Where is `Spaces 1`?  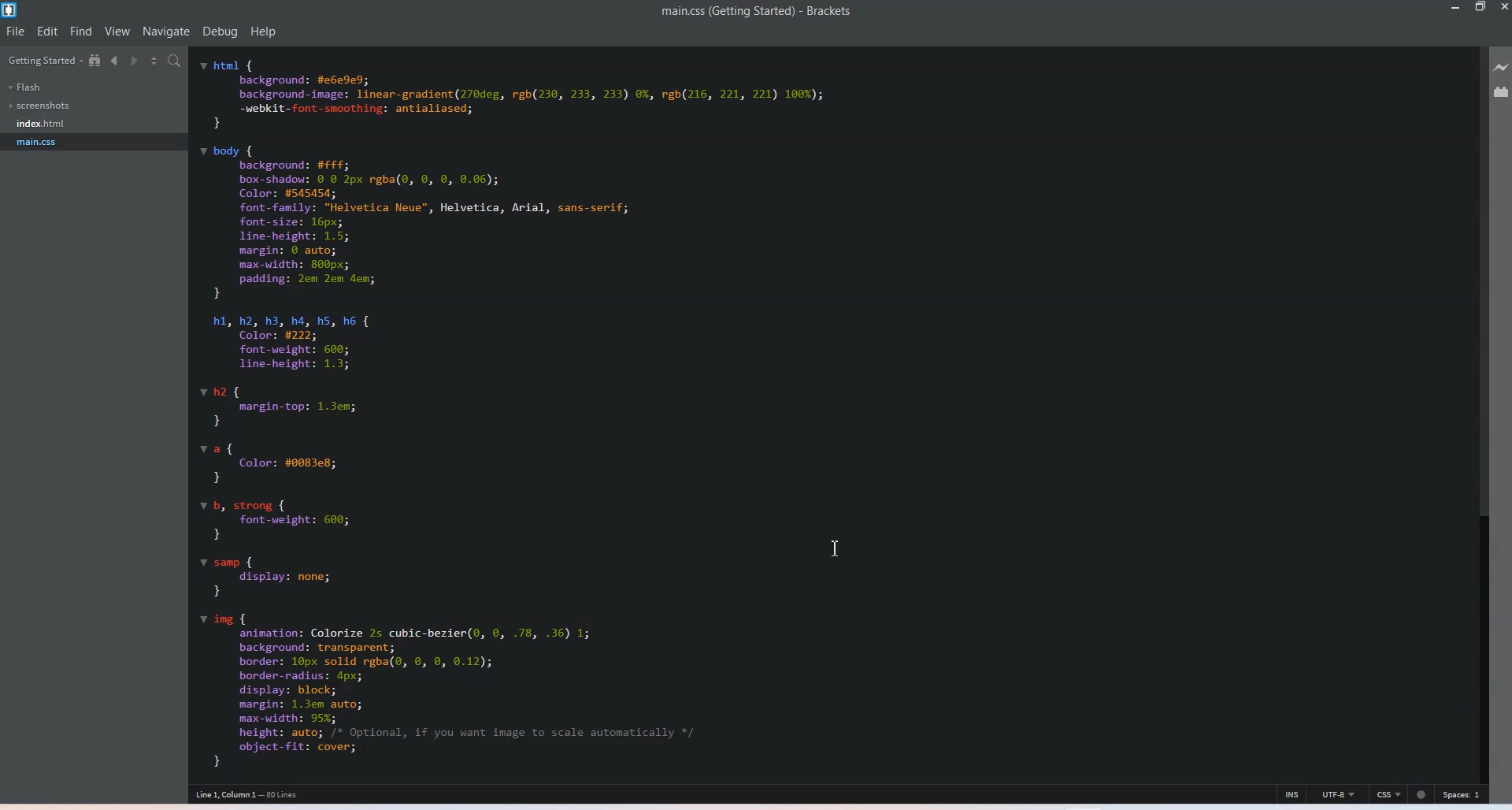
Spaces 1 is located at coordinates (1464, 794).